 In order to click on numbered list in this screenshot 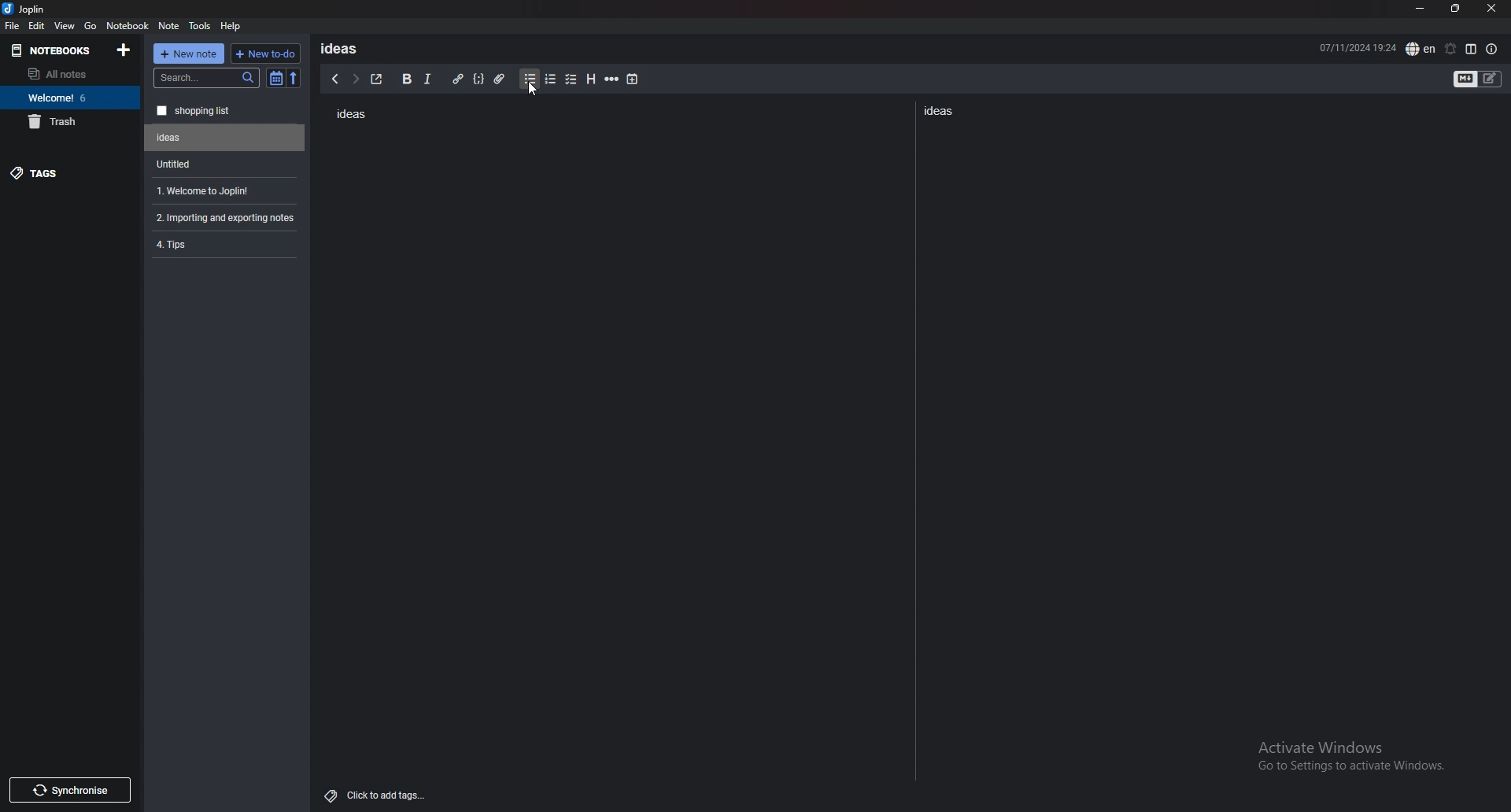, I will do `click(549, 79)`.